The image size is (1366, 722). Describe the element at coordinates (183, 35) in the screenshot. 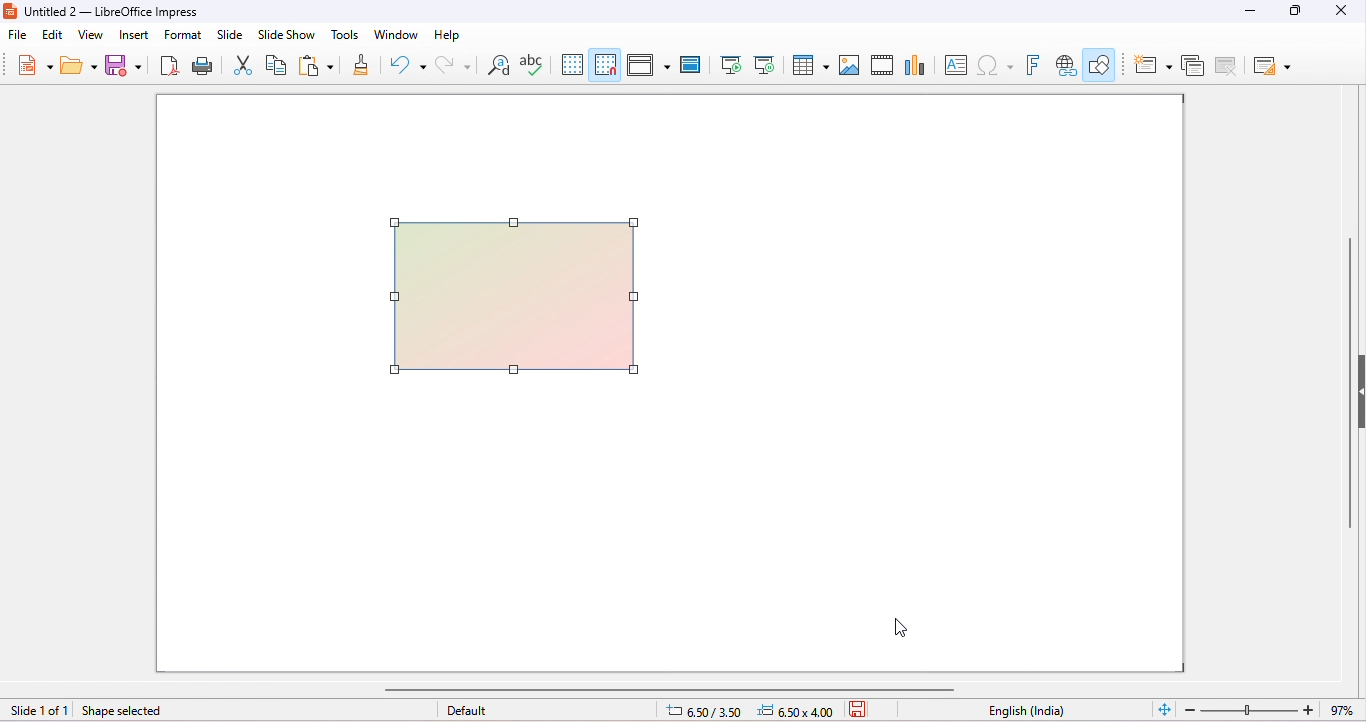

I see `format` at that location.